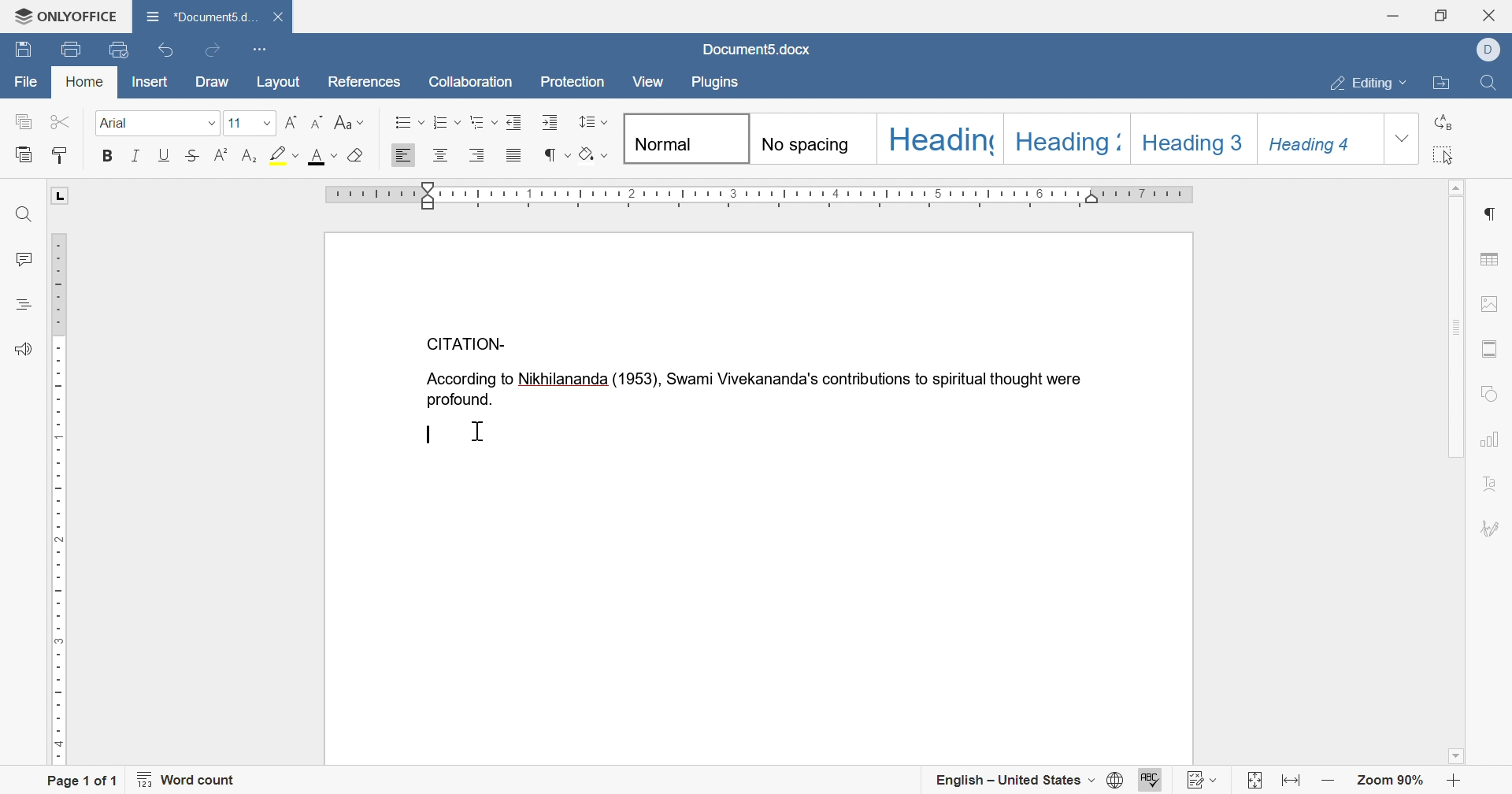  What do you see at coordinates (138, 156) in the screenshot?
I see `italic` at bounding box center [138, 156].